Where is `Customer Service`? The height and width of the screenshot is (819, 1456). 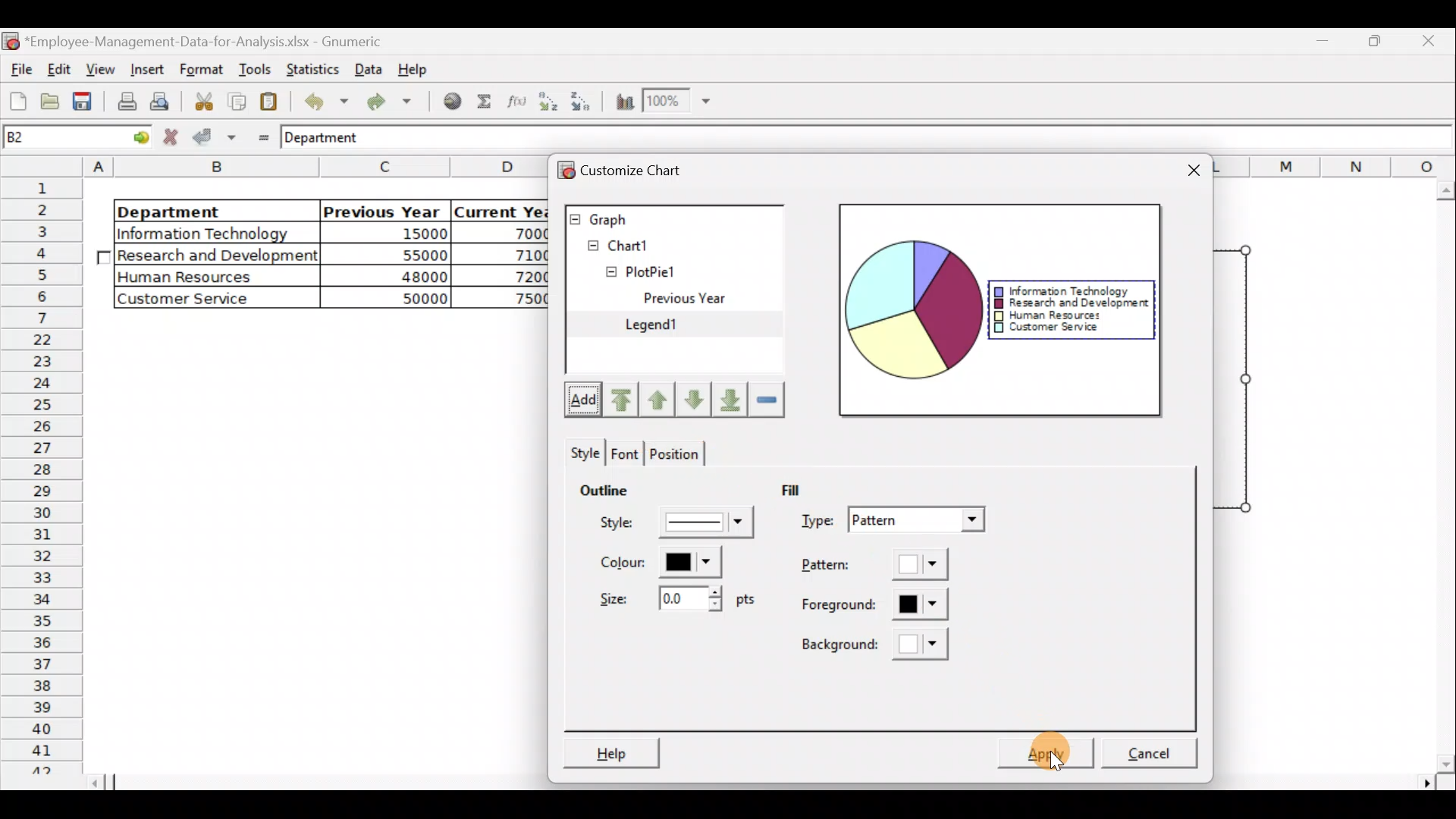 Customer Service is located at coordinates (201, 299).